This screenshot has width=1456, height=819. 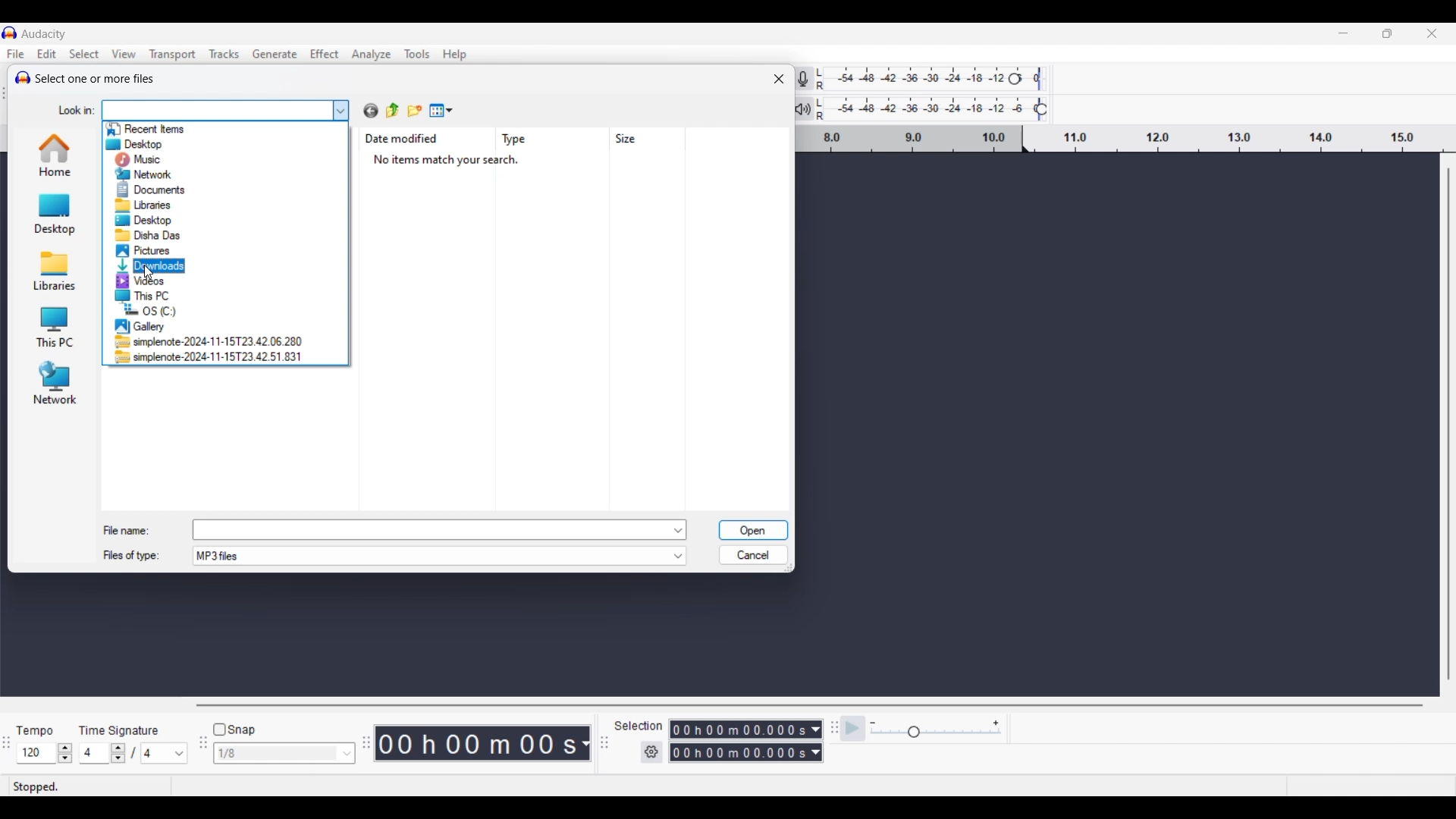 What do you see at coordinates (71, 786) in the screenshot?
I see `Status of recording` at bounding box center [71, 786].